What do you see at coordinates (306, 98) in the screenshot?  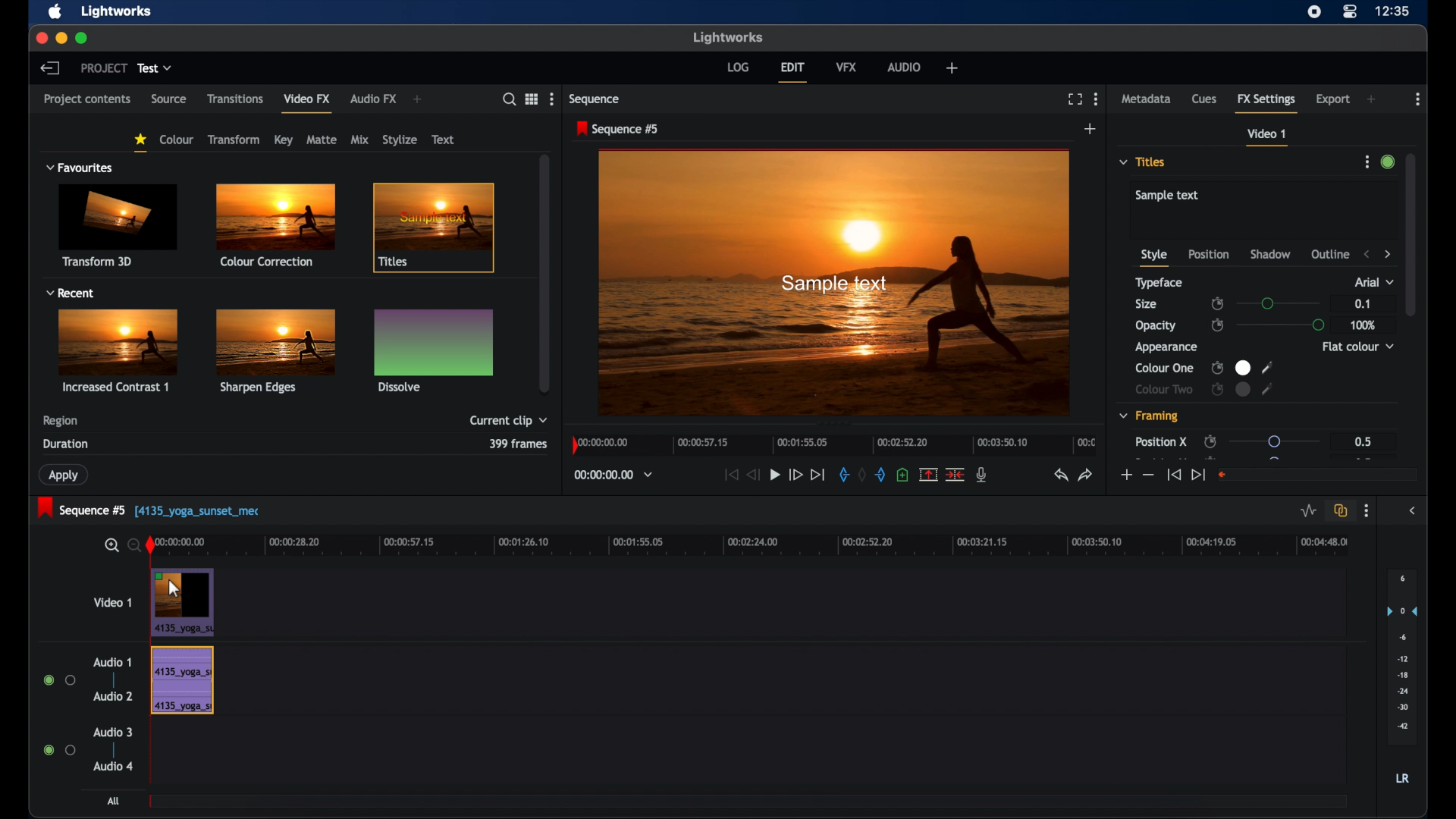 I see `video fx` at bounding box center [306, 98].